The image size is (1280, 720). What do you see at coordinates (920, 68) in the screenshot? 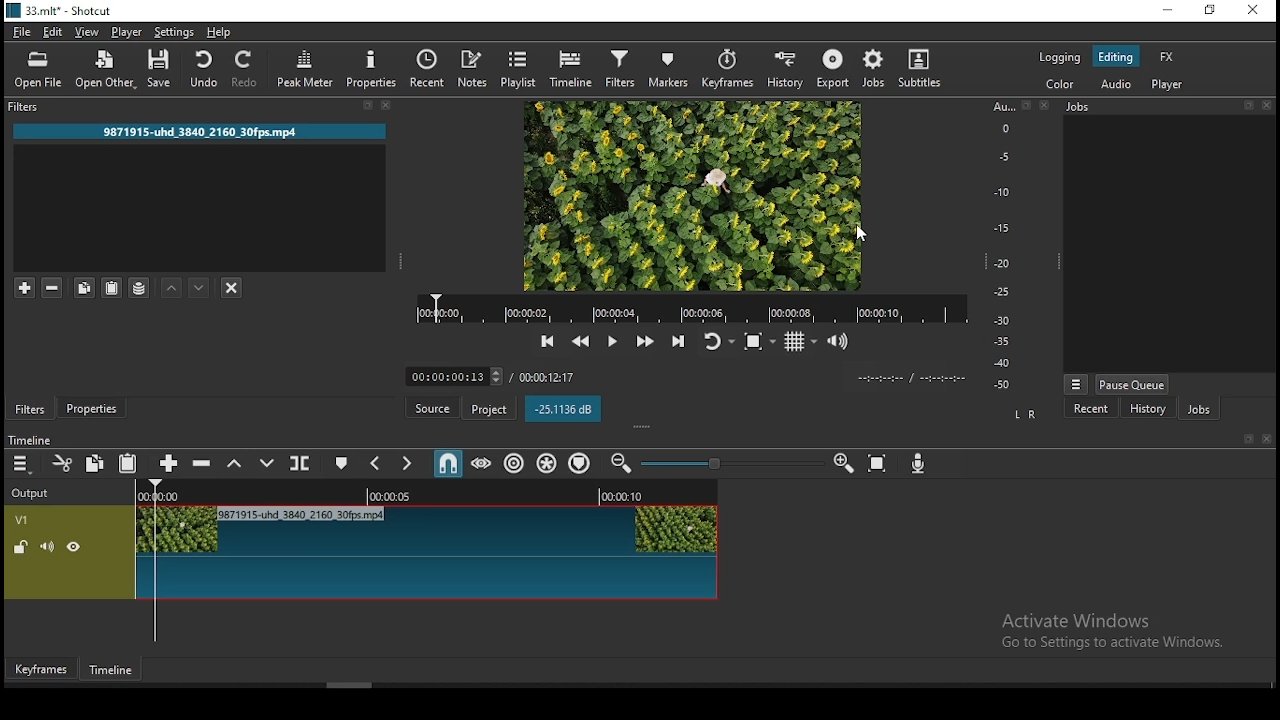
I see `subtitle` at bounding box center [920, 68].